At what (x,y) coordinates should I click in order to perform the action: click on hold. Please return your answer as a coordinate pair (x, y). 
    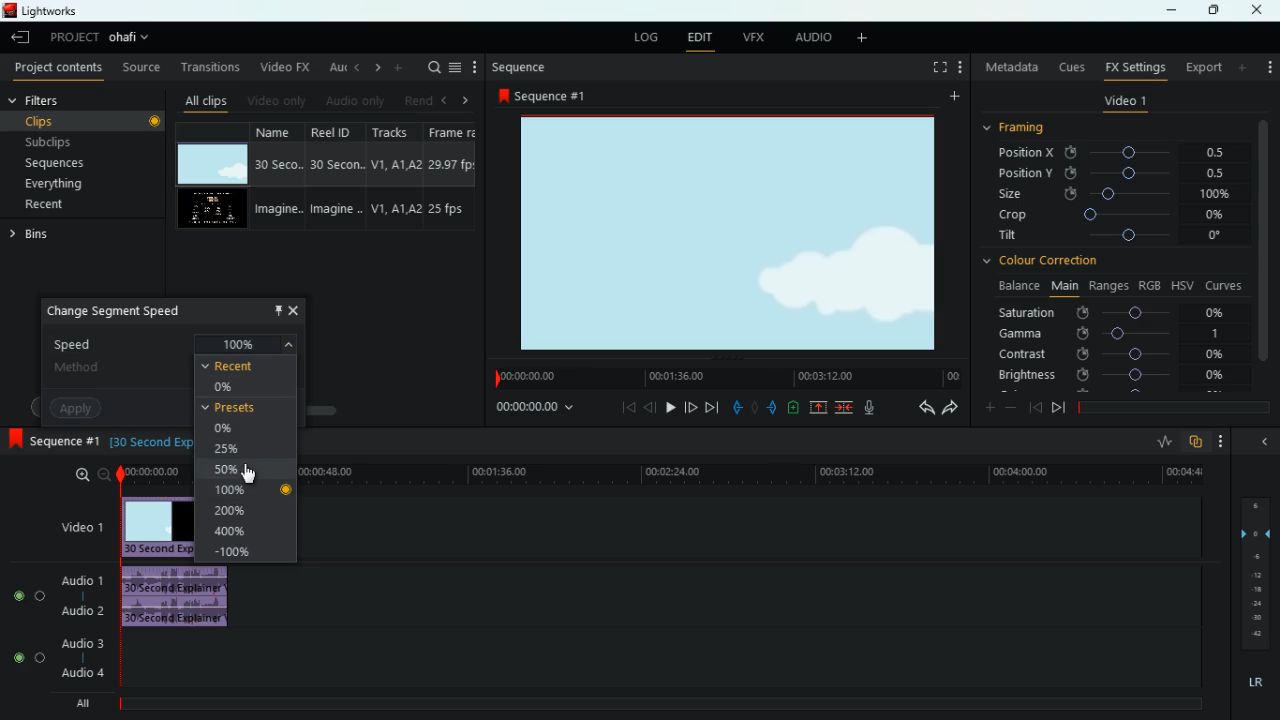
    Looking at the image, I should click on (754, 406).